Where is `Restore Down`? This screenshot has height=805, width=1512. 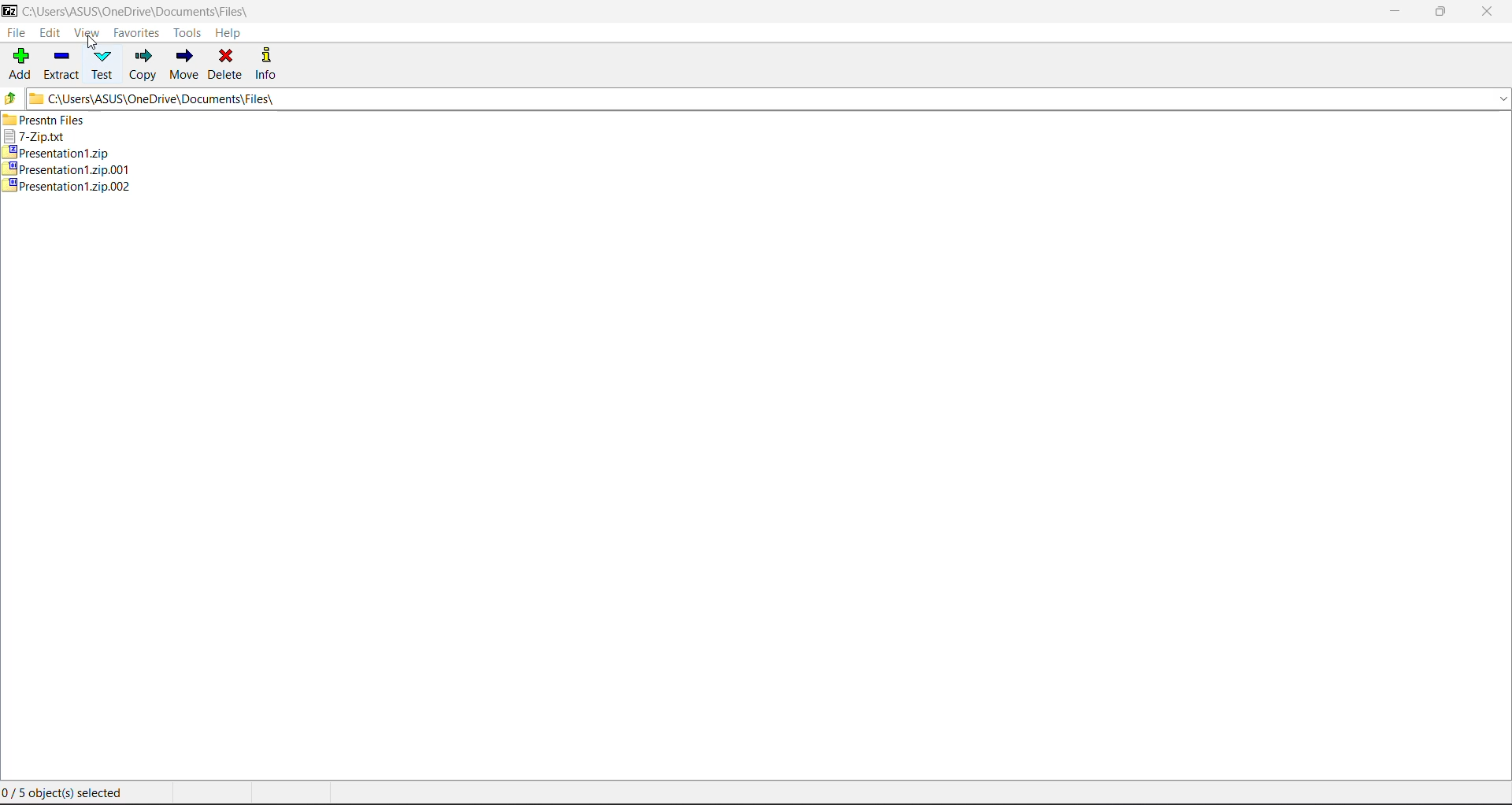
Restore Down is located at coordinates (1442, 12).